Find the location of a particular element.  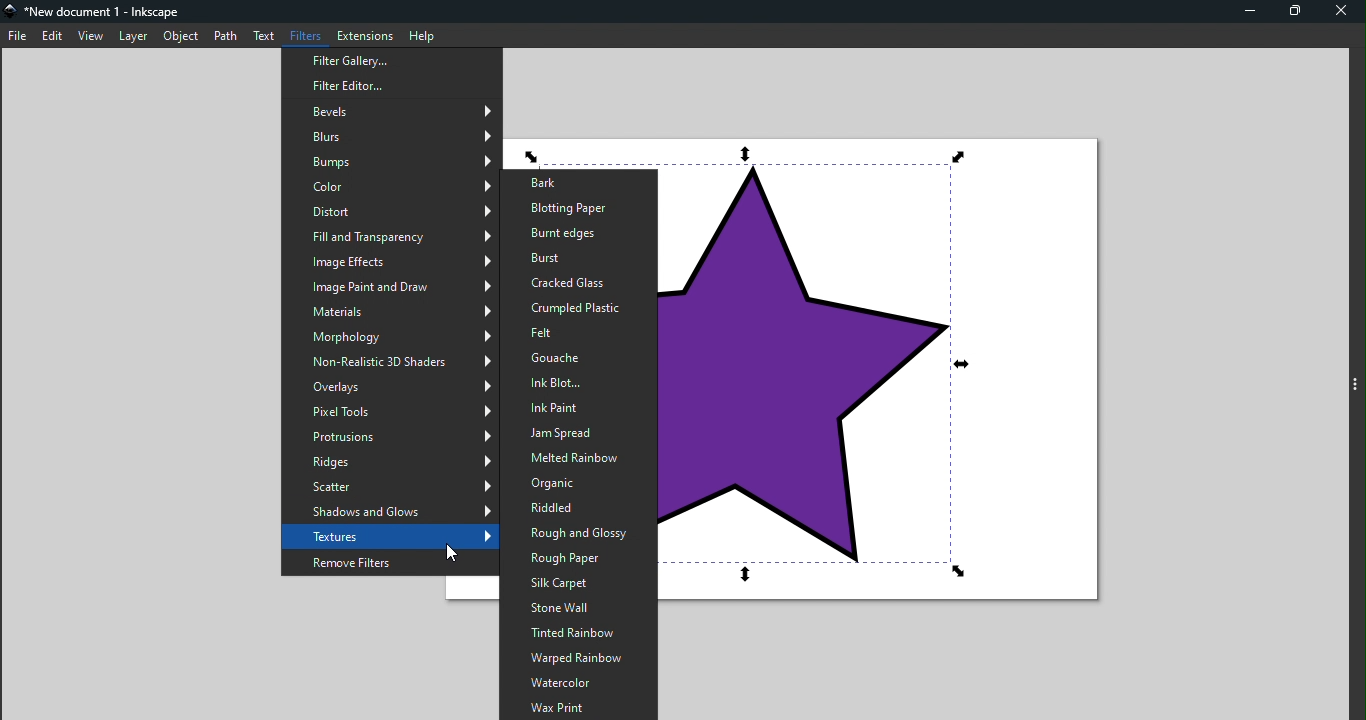

Edit is located at coordinates (53, 35).